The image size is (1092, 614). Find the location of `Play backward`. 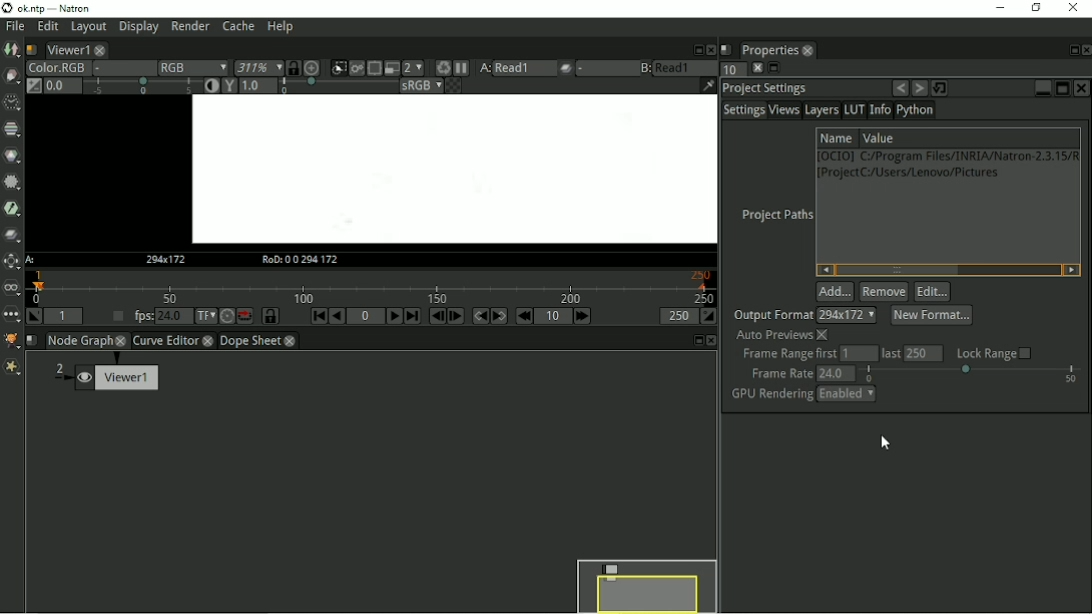

Play backward is located at coordinates (338, 317).